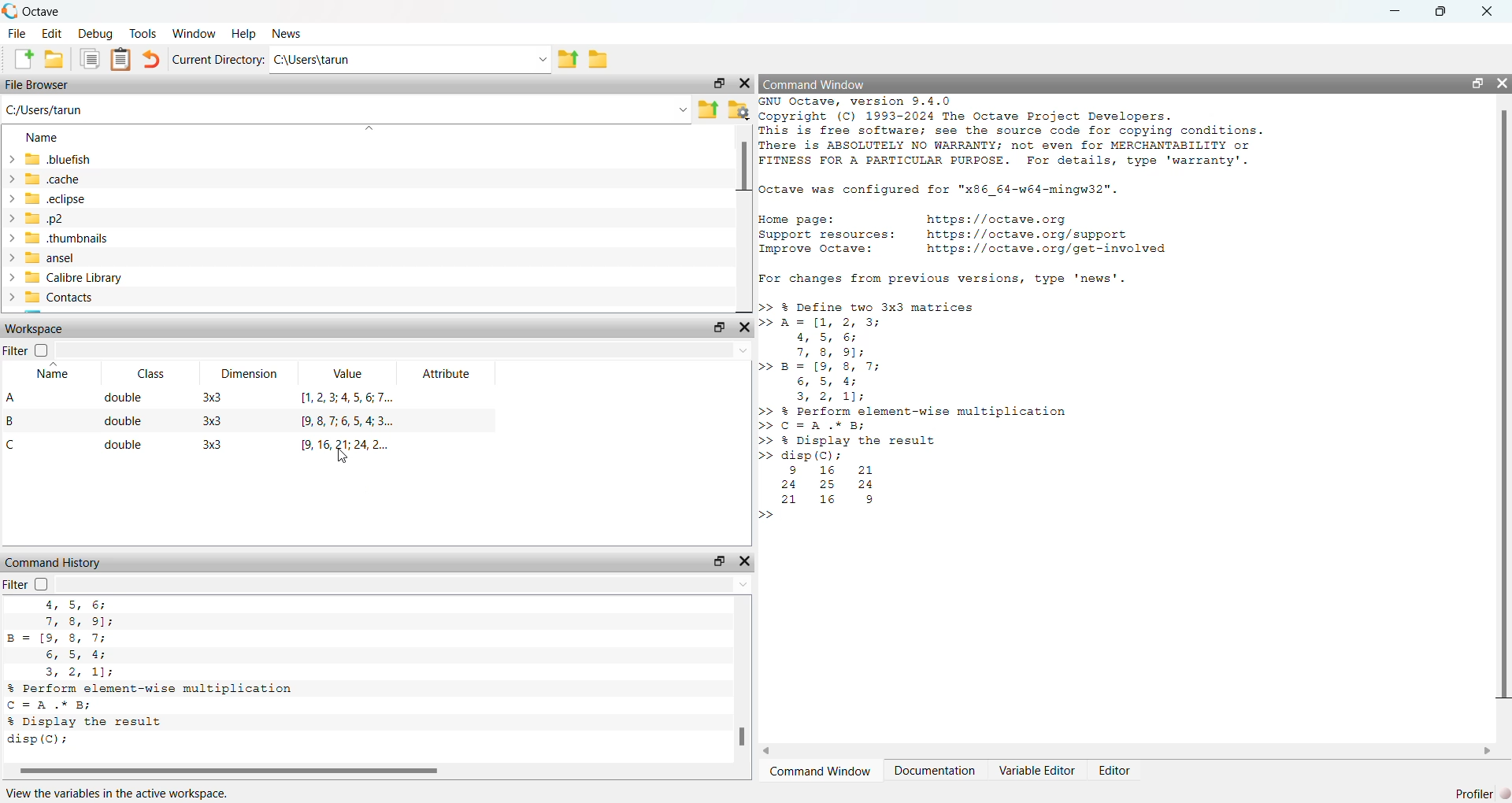 This screenshot has height=803, width=1512. Describe the element at coordinates (404, 584) in the screenshot. I see `Dropdown` at that location.